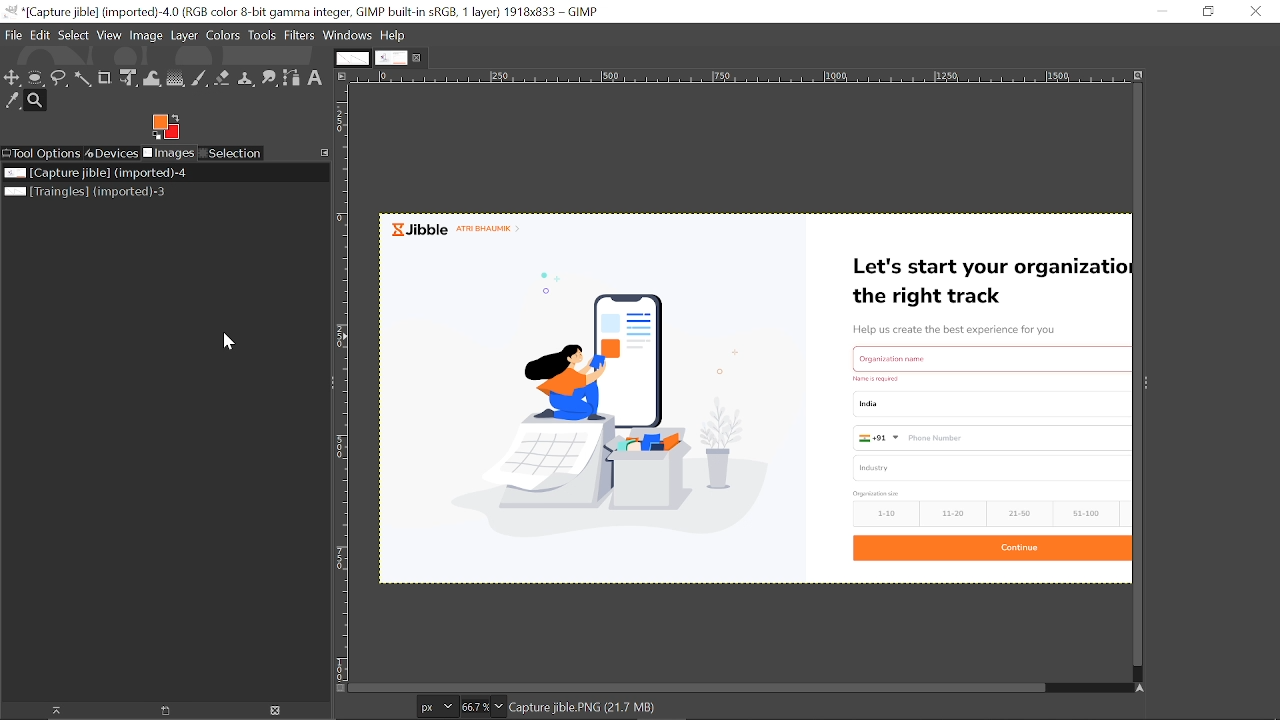  What do you see at coordinates (1207, 12) in the screenshot?
I see `Restore down` at bounding box center [1207, 12].